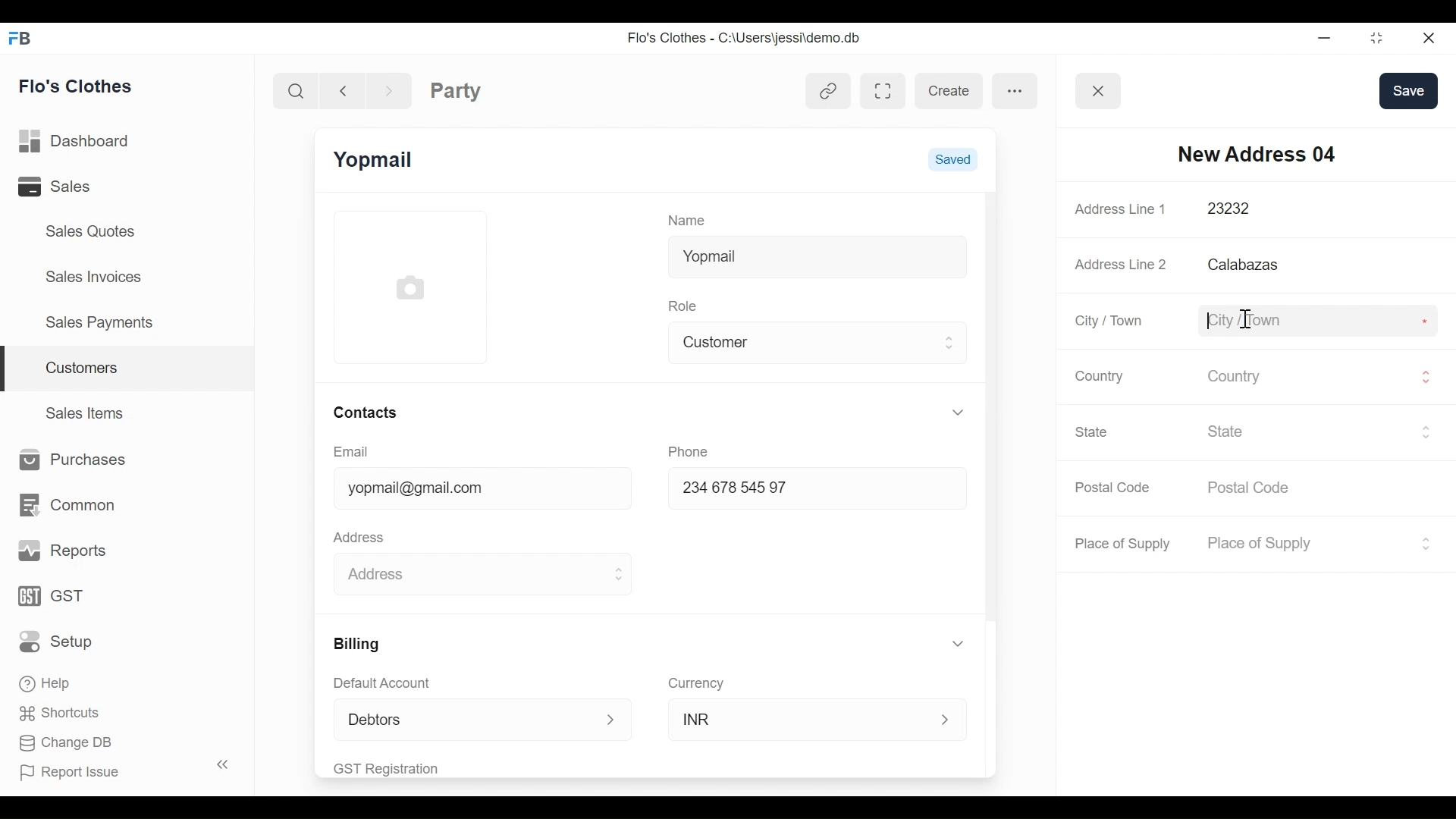  Describe the element at coordinates (65, 505) in the screenshot. I see `Common` at that location.